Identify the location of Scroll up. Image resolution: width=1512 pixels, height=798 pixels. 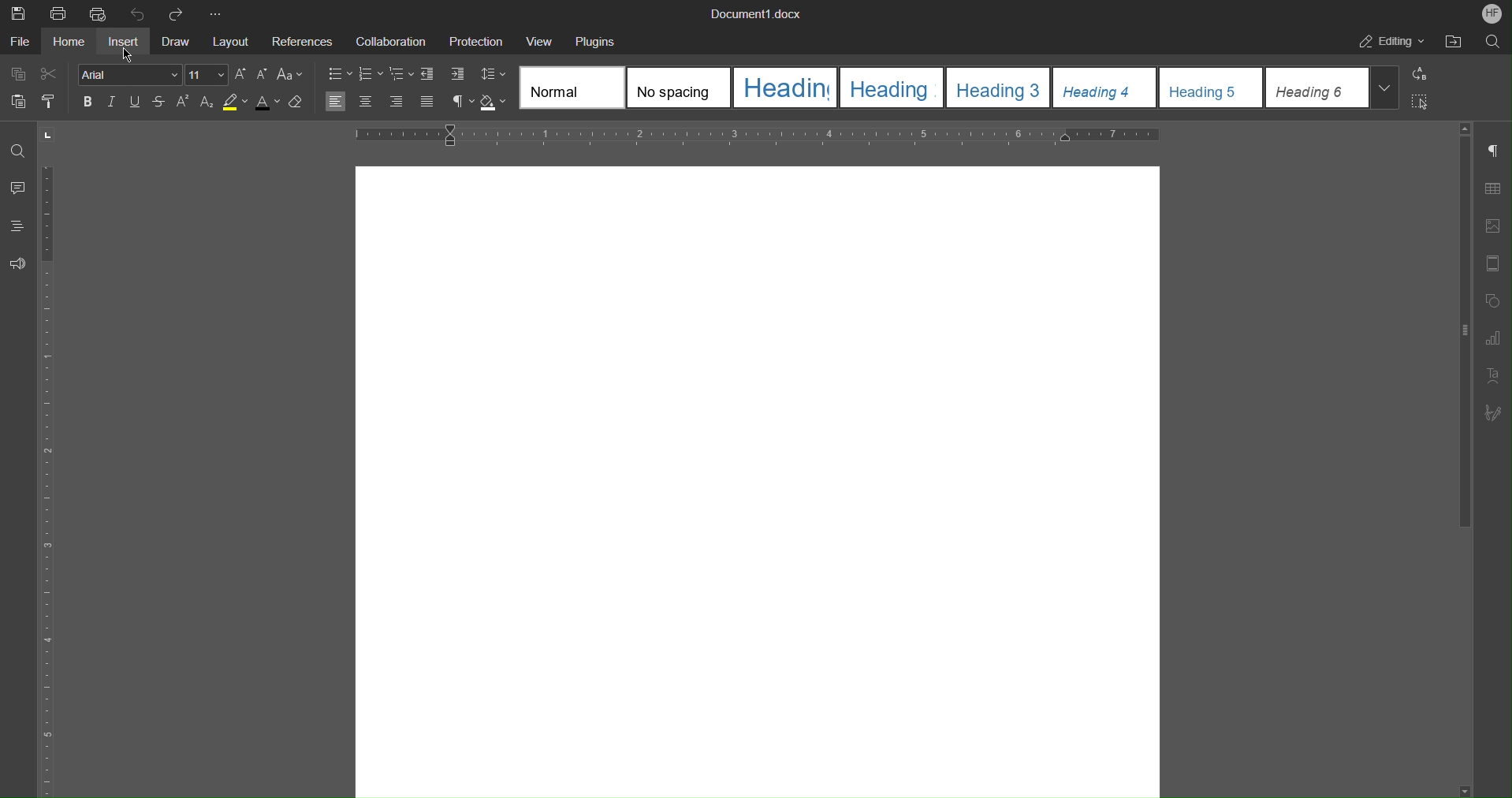
(1465, 127).